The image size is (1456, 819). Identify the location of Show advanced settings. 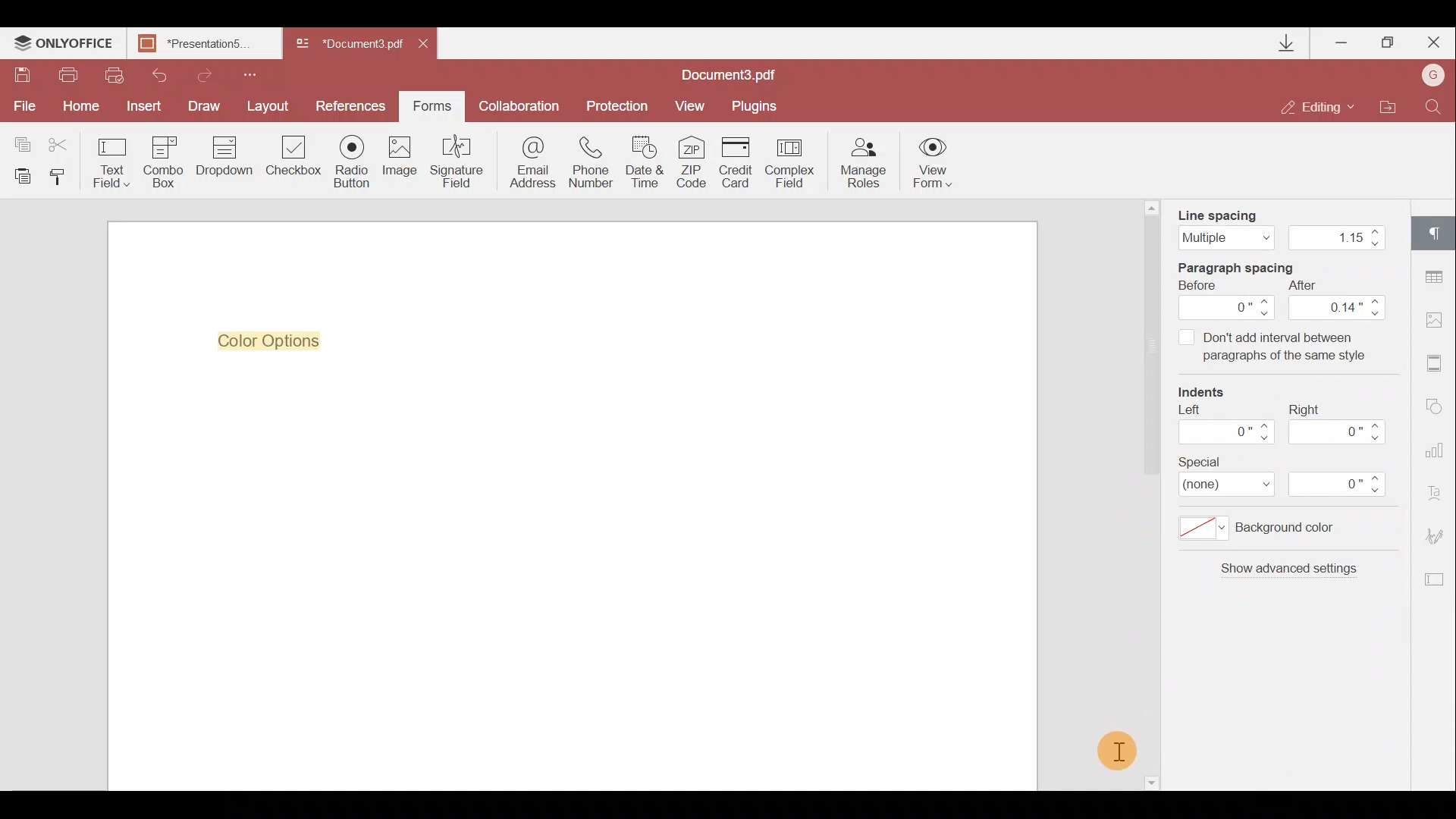
(1277, 584).